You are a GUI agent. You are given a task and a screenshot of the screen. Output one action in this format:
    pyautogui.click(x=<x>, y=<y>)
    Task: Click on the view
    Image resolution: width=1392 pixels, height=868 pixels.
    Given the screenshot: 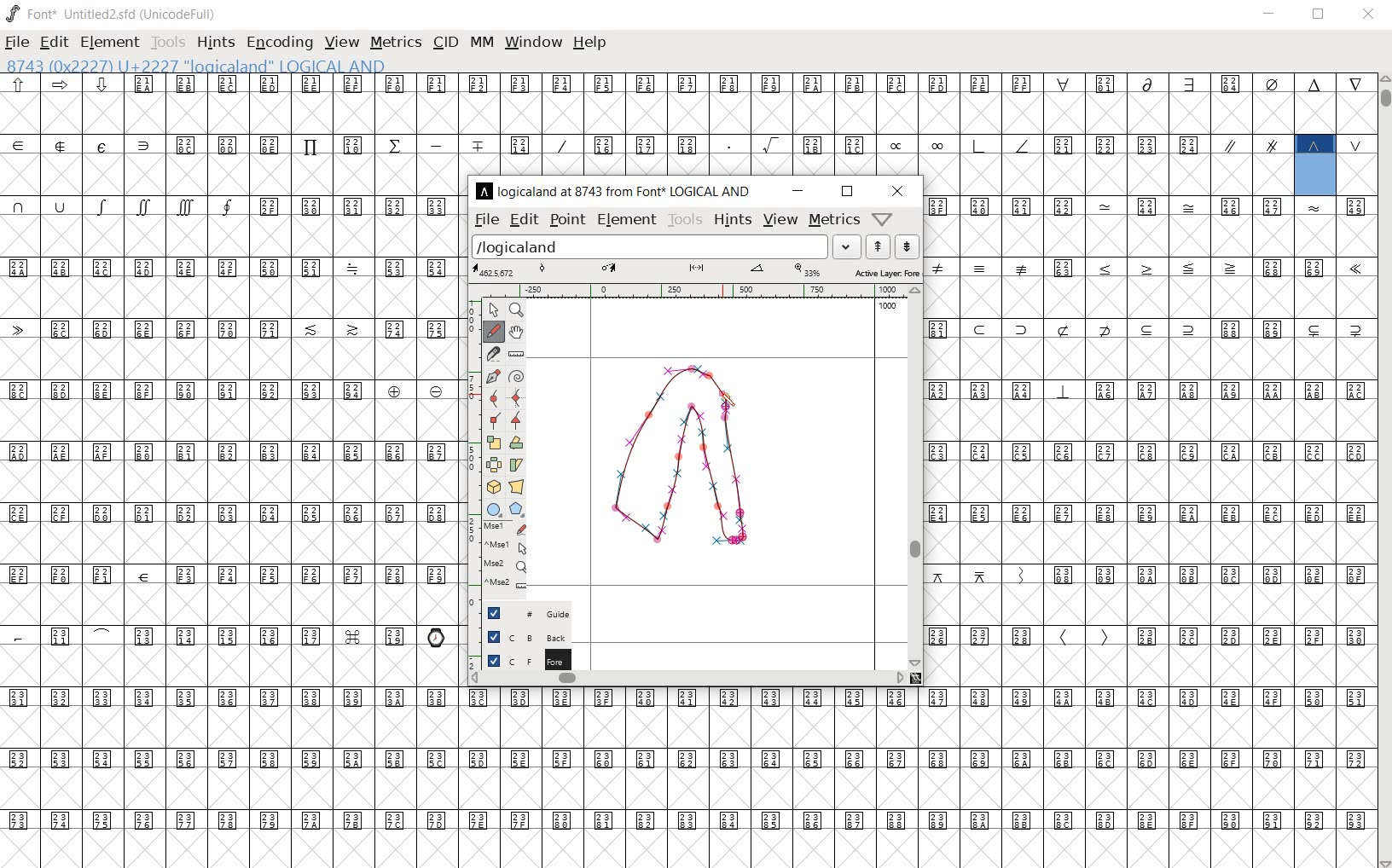 What is the action you would take?
    pyautogui.click(x=341, y=42)
    